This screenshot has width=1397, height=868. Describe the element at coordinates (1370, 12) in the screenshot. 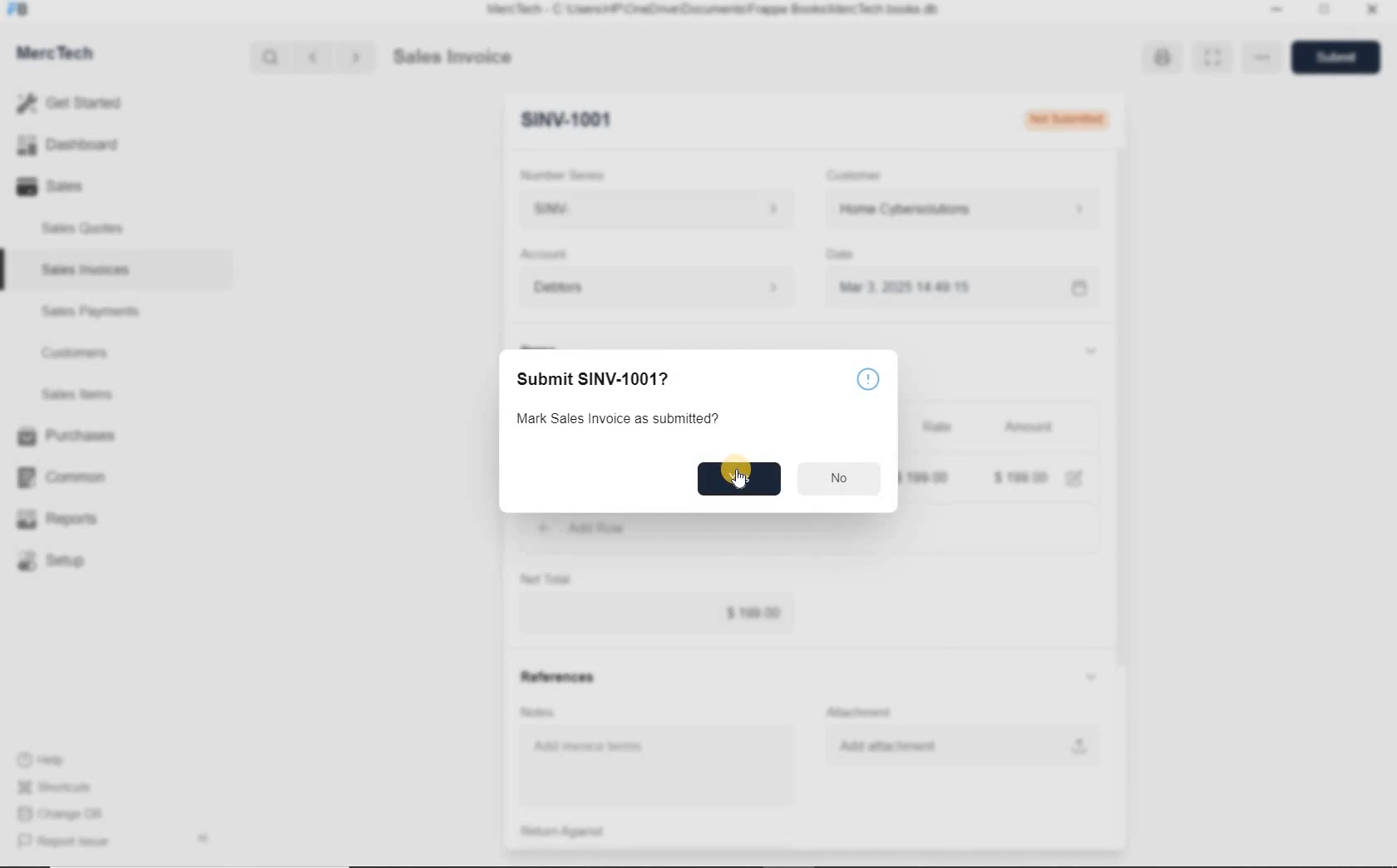

I see `Close` at that location.